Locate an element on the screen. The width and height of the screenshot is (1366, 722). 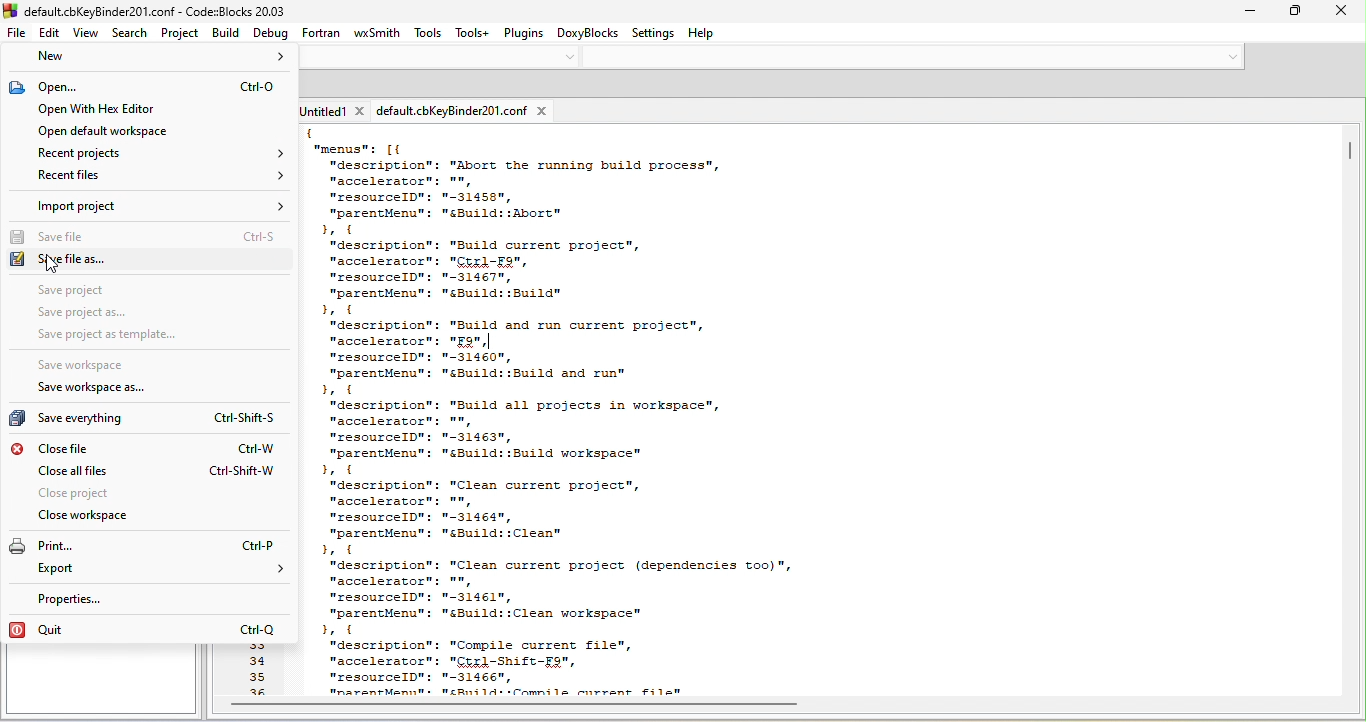
edit is located at coordinates (53, 34).